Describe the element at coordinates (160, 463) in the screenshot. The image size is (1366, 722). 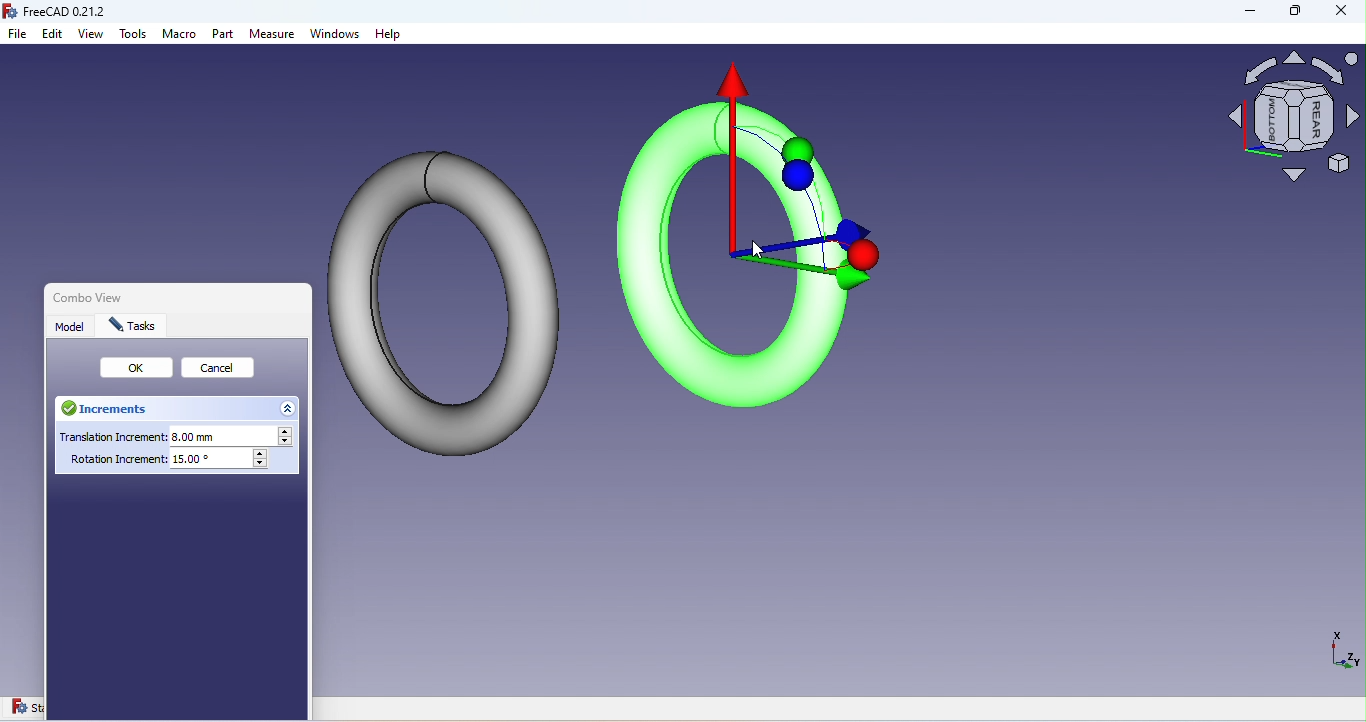
I see `Rotation increment` at that location.